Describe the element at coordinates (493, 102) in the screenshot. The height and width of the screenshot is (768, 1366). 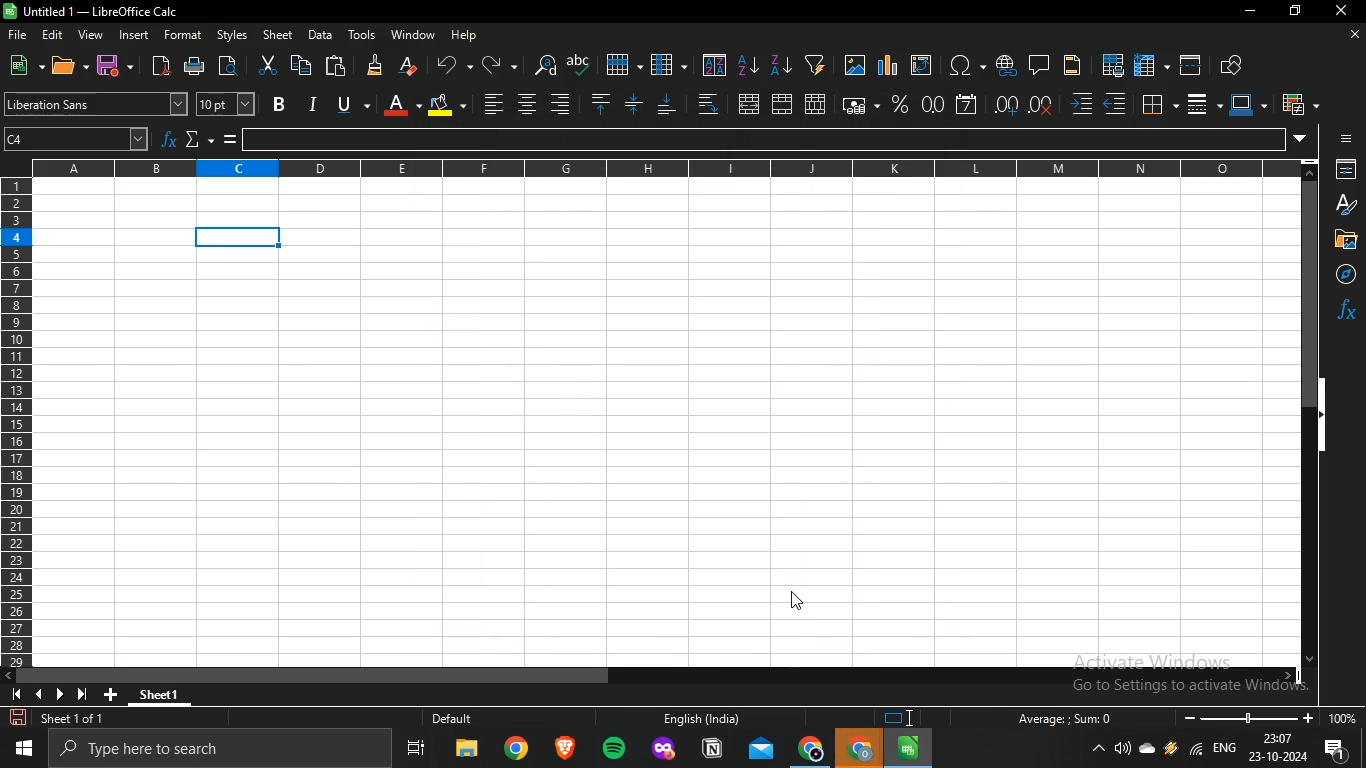
I see `alignright ` at that location.